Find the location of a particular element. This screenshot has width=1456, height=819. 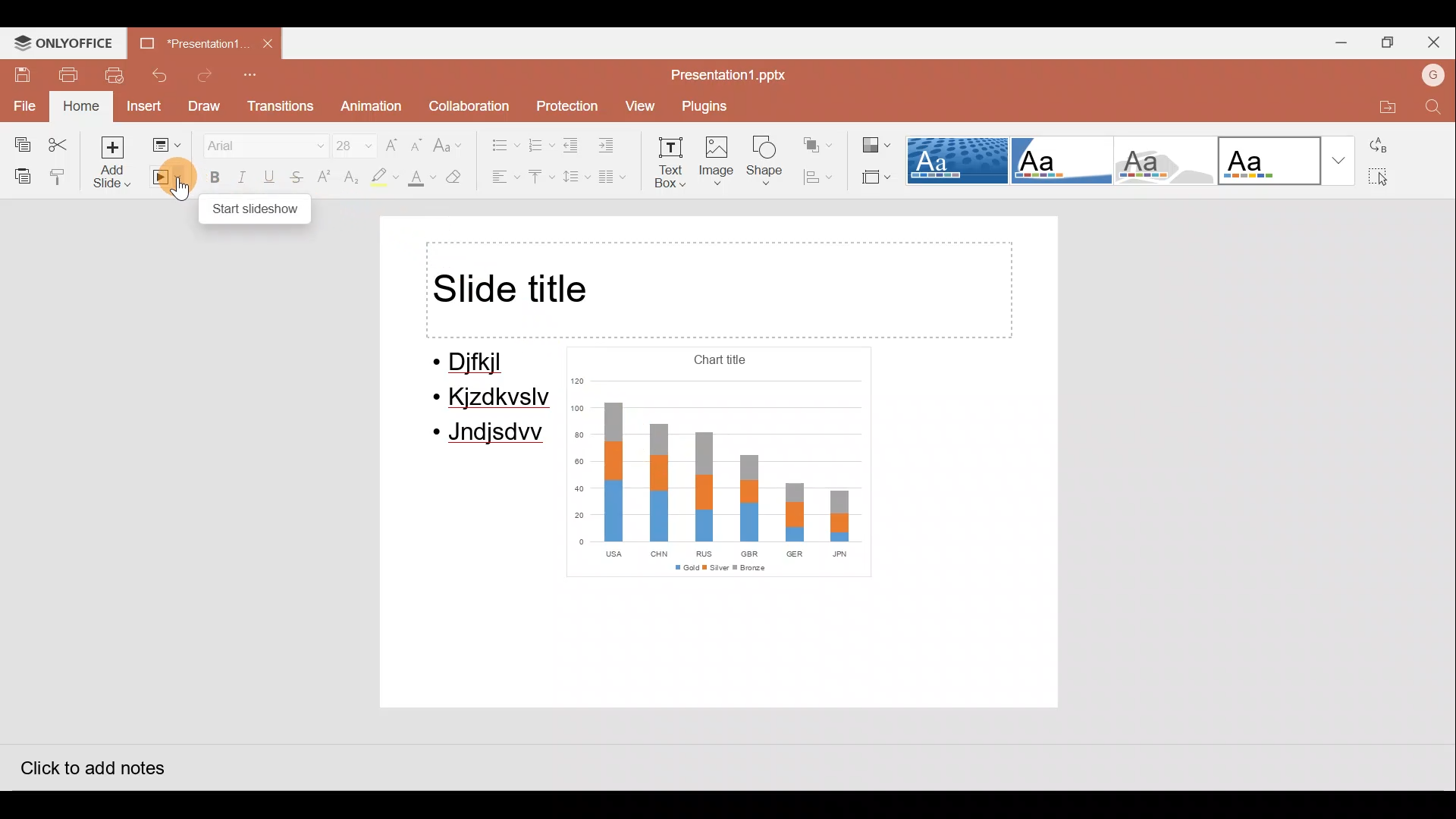

Turtle is located at coordinates (1160, 162).